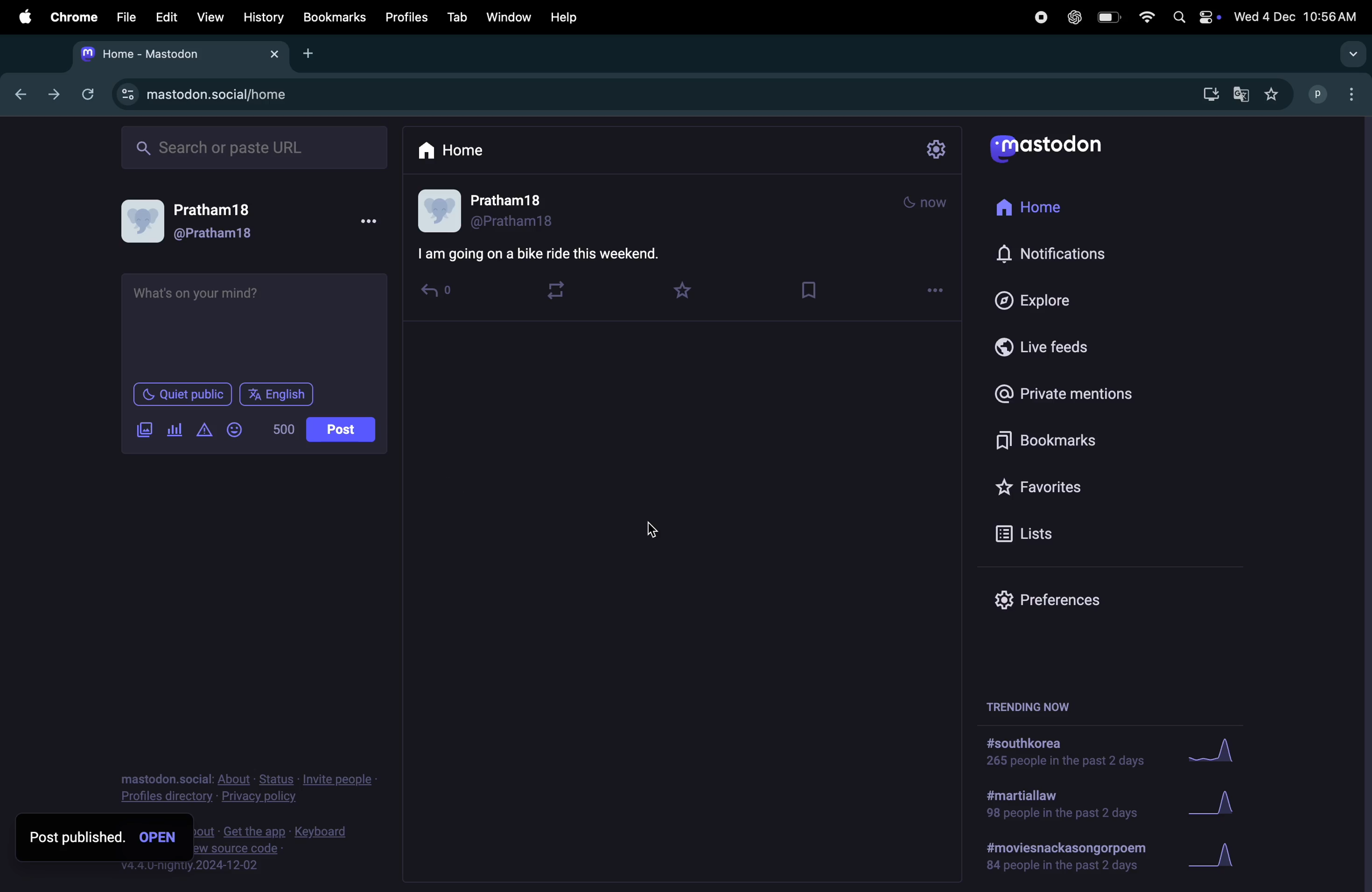  I want to click on polls, so click(174, 432).